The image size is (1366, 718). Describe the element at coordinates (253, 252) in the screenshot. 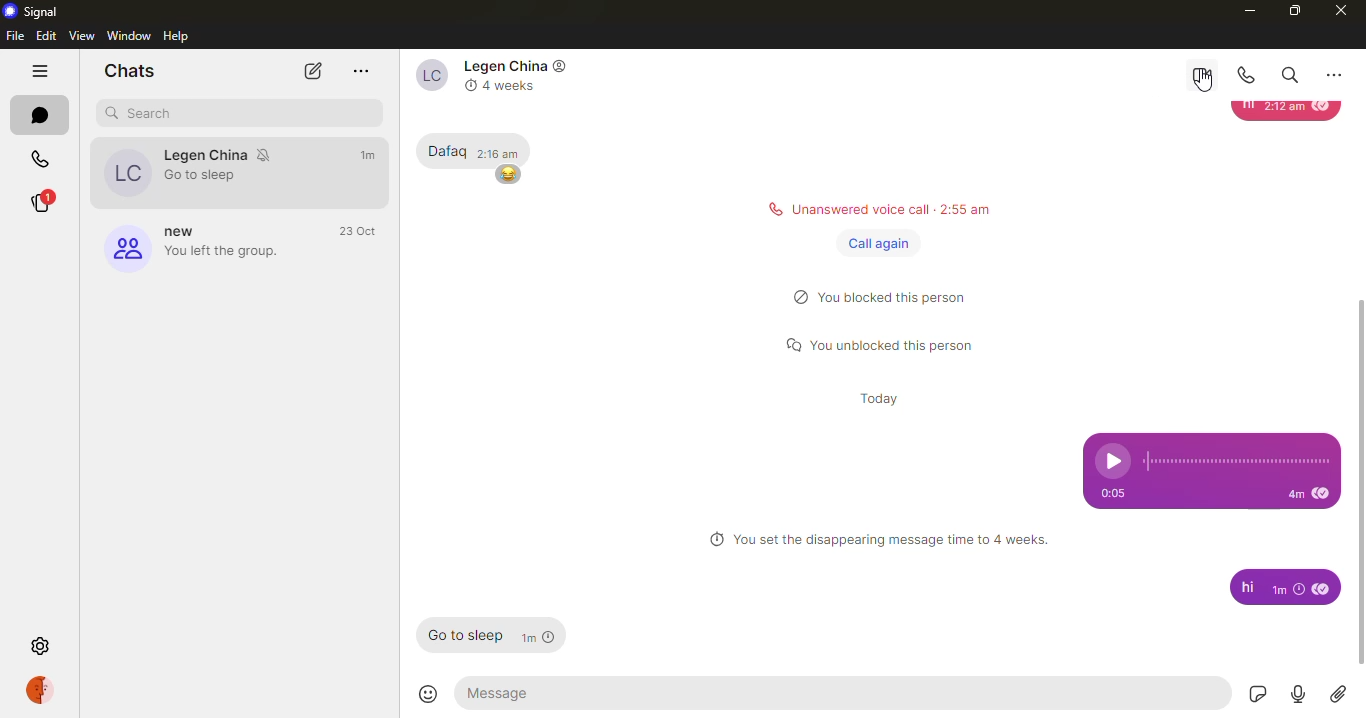

I see `you left the group.` at that location.